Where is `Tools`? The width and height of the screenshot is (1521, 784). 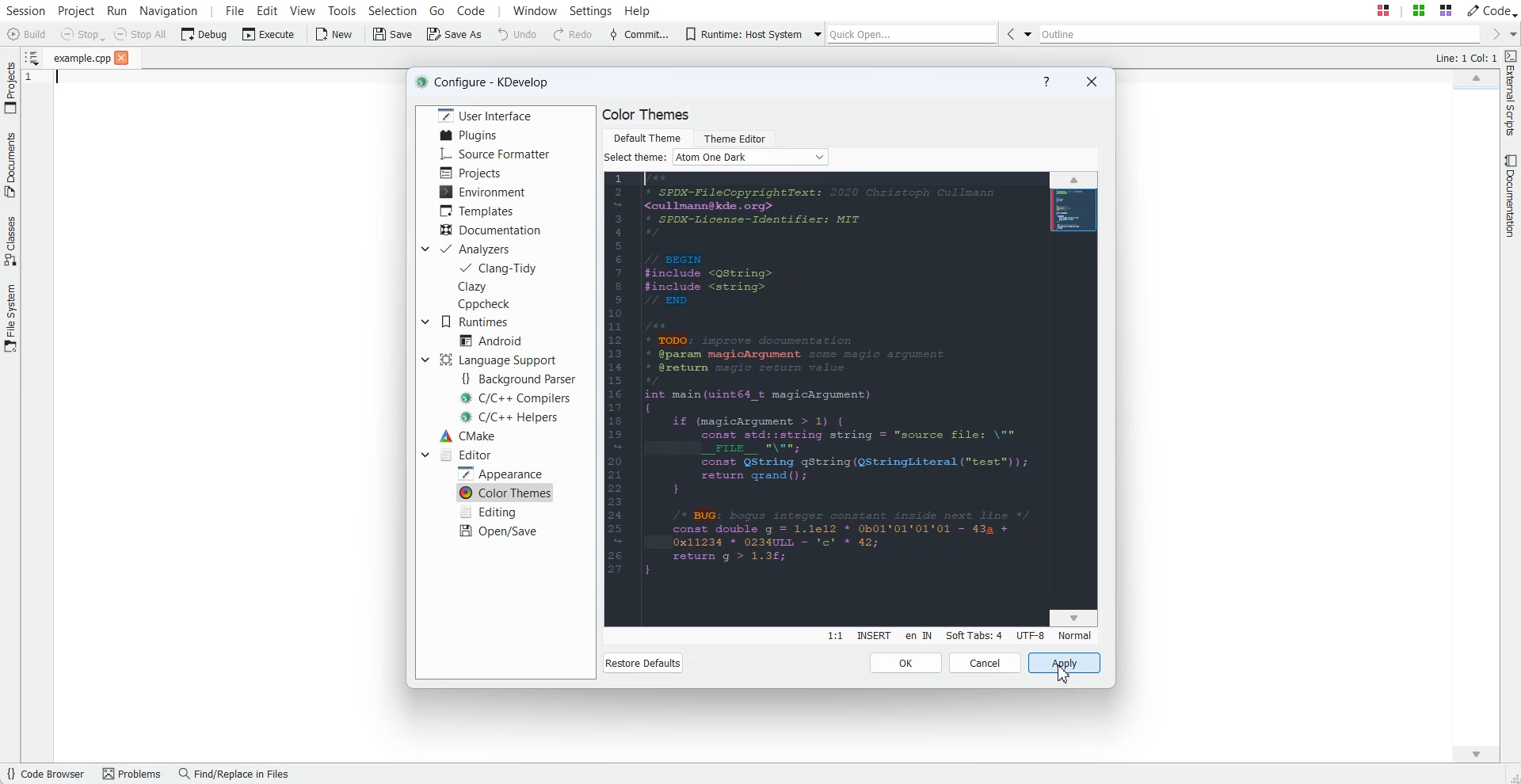
Tools is located at coordinates (341, 10).